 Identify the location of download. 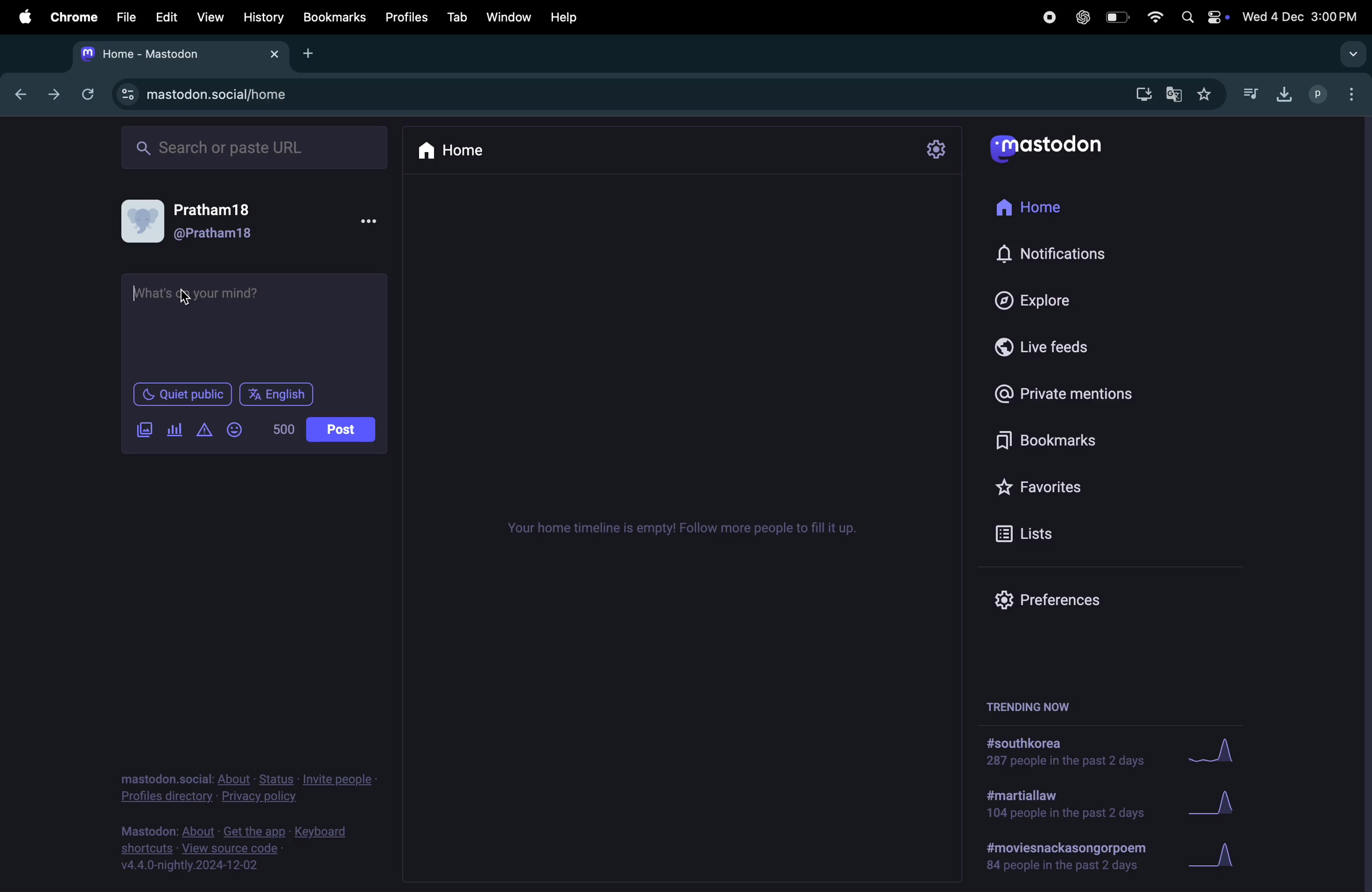
(1141, 95).